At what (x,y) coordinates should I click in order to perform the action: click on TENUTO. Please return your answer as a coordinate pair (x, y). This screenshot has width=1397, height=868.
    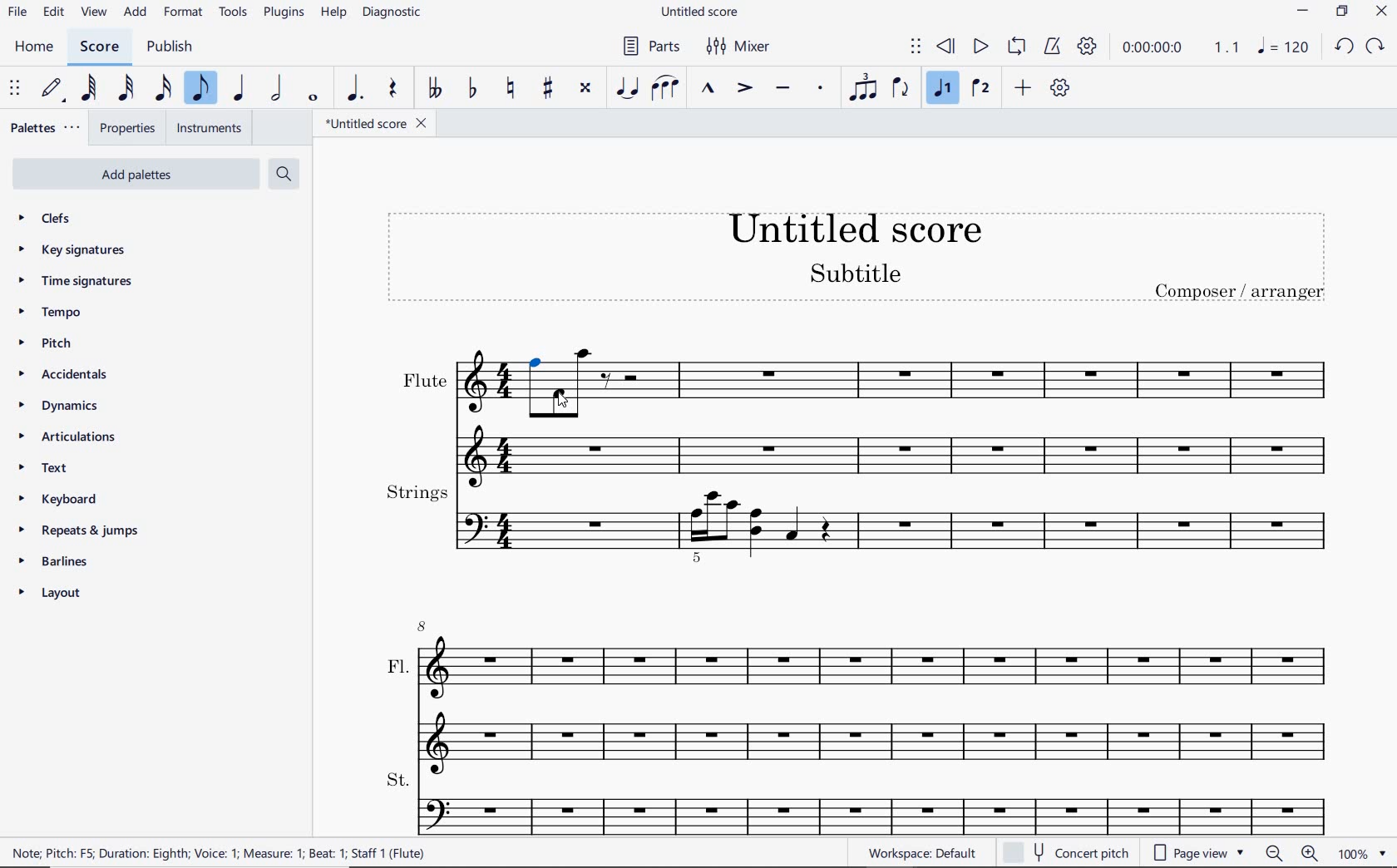
    Looking at the image, I should click on (783, 89).